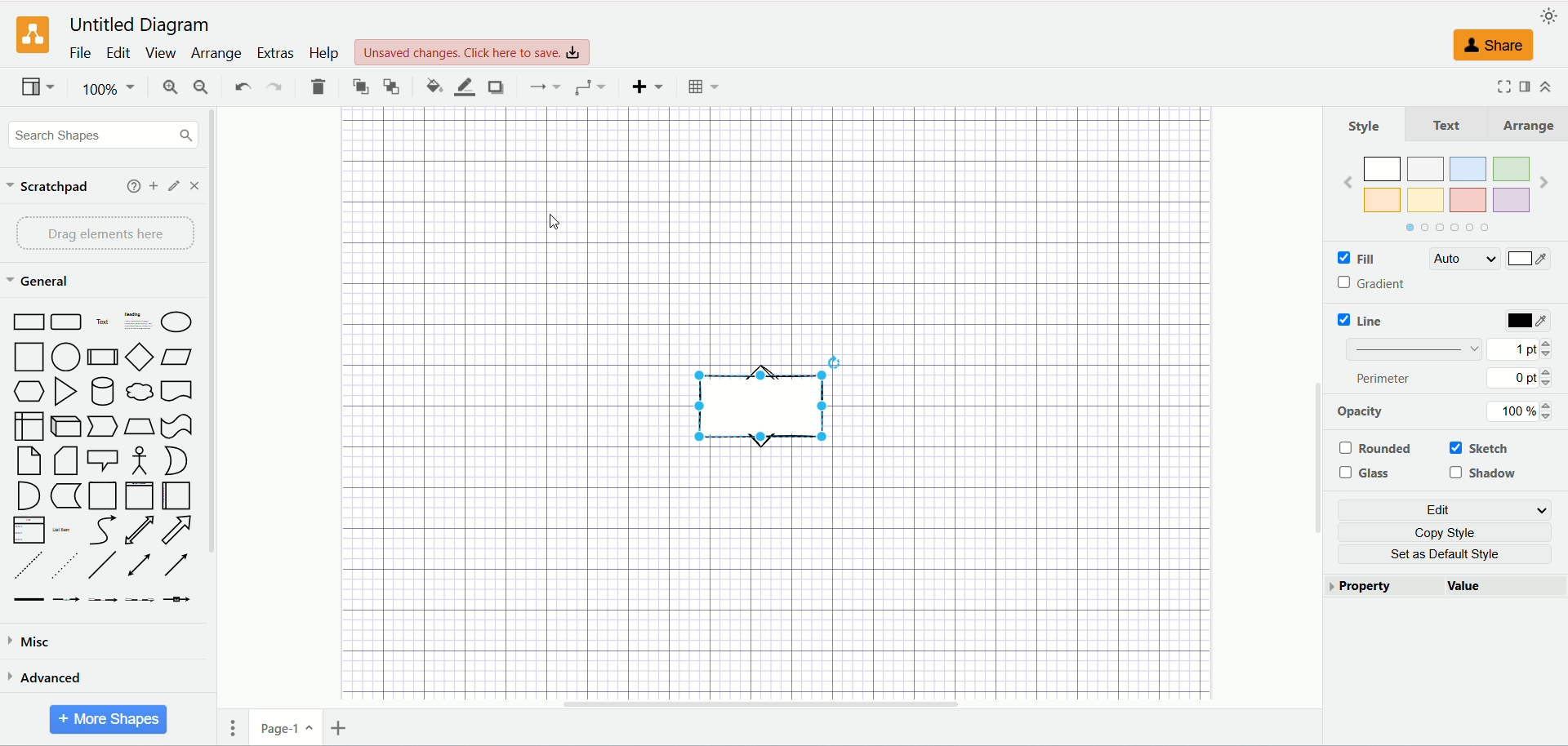  Describe the element at coordinates (37, 87) in the screenshot. I see `view` at that location.